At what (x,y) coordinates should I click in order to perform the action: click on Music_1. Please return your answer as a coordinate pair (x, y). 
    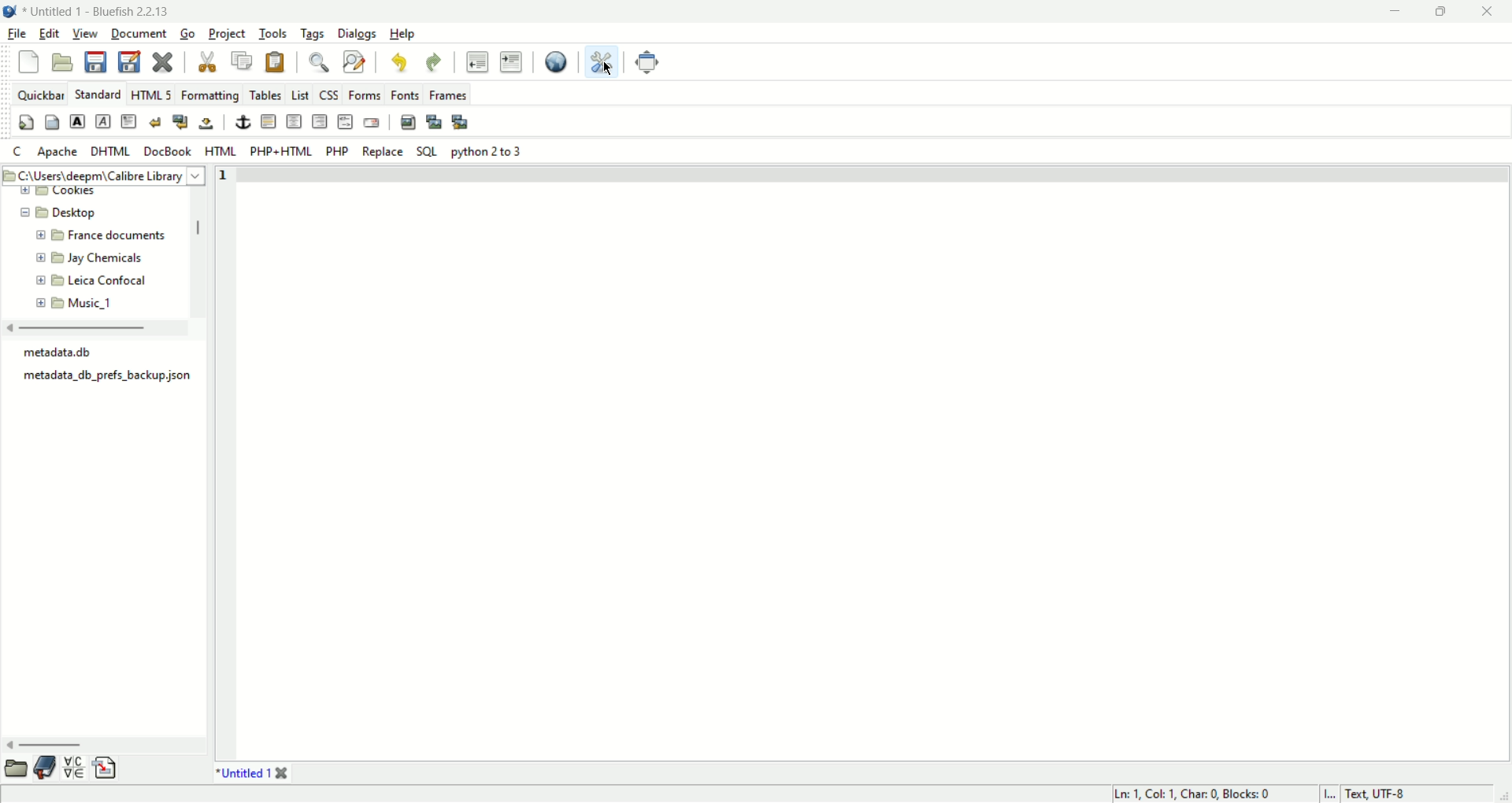
    Looking at the image, I should click on (94, 305).